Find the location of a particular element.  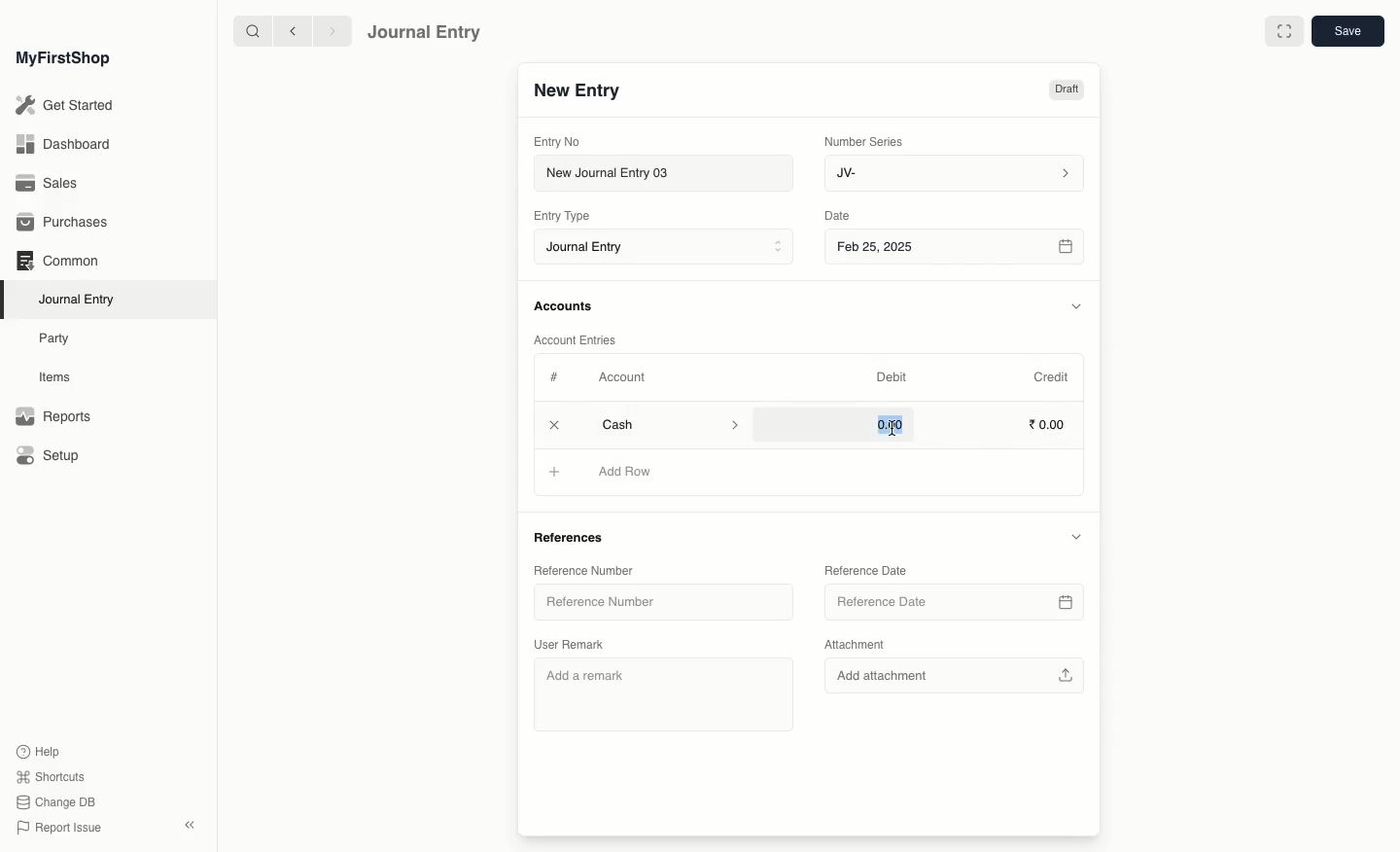

save is located at coordinates (1347, 32).